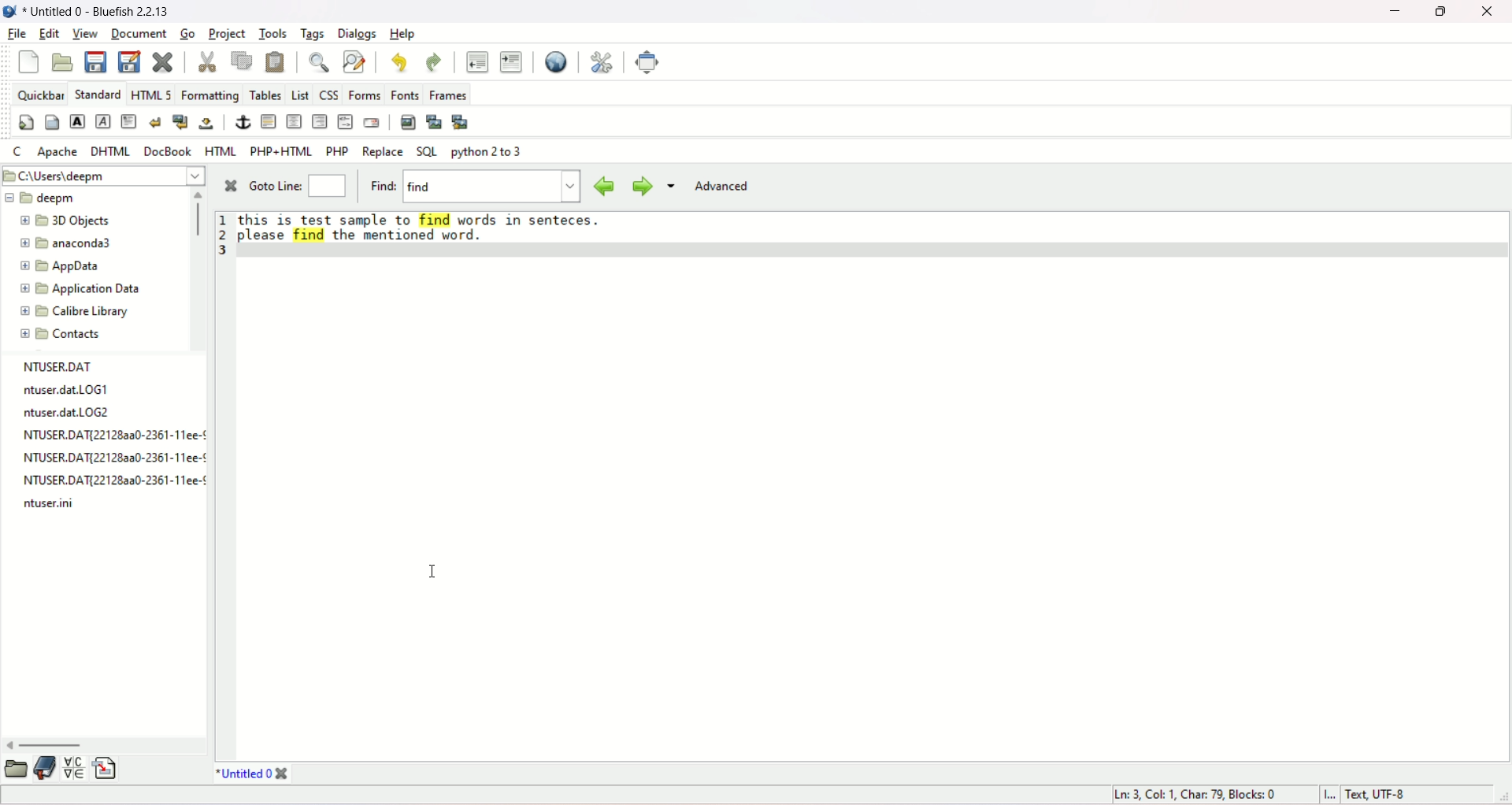  Describe the element at coordinates (111, 436) in the screenshot. I see `text` at that location.